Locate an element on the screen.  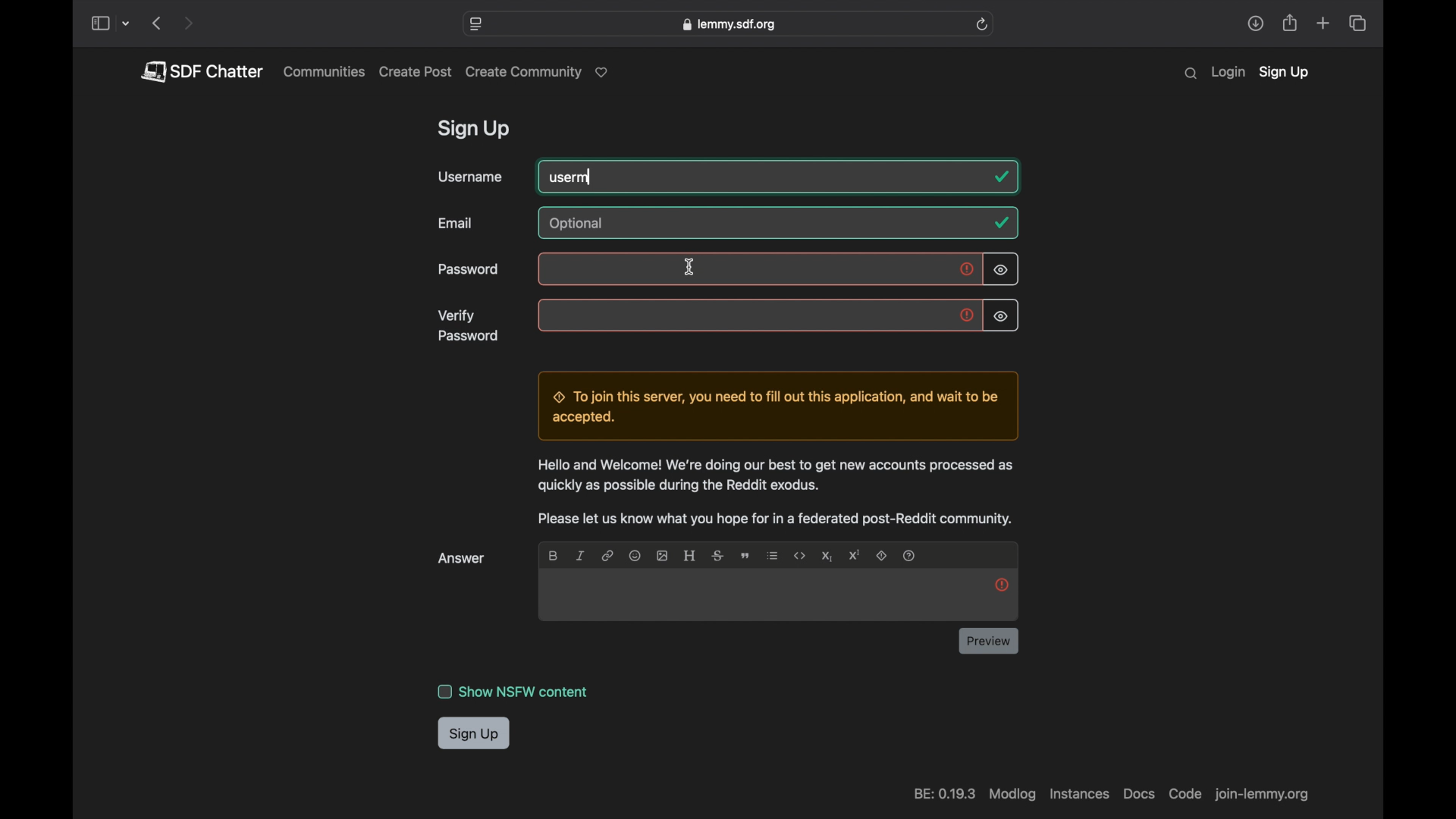
sign up is located at coordinates (476, 130).